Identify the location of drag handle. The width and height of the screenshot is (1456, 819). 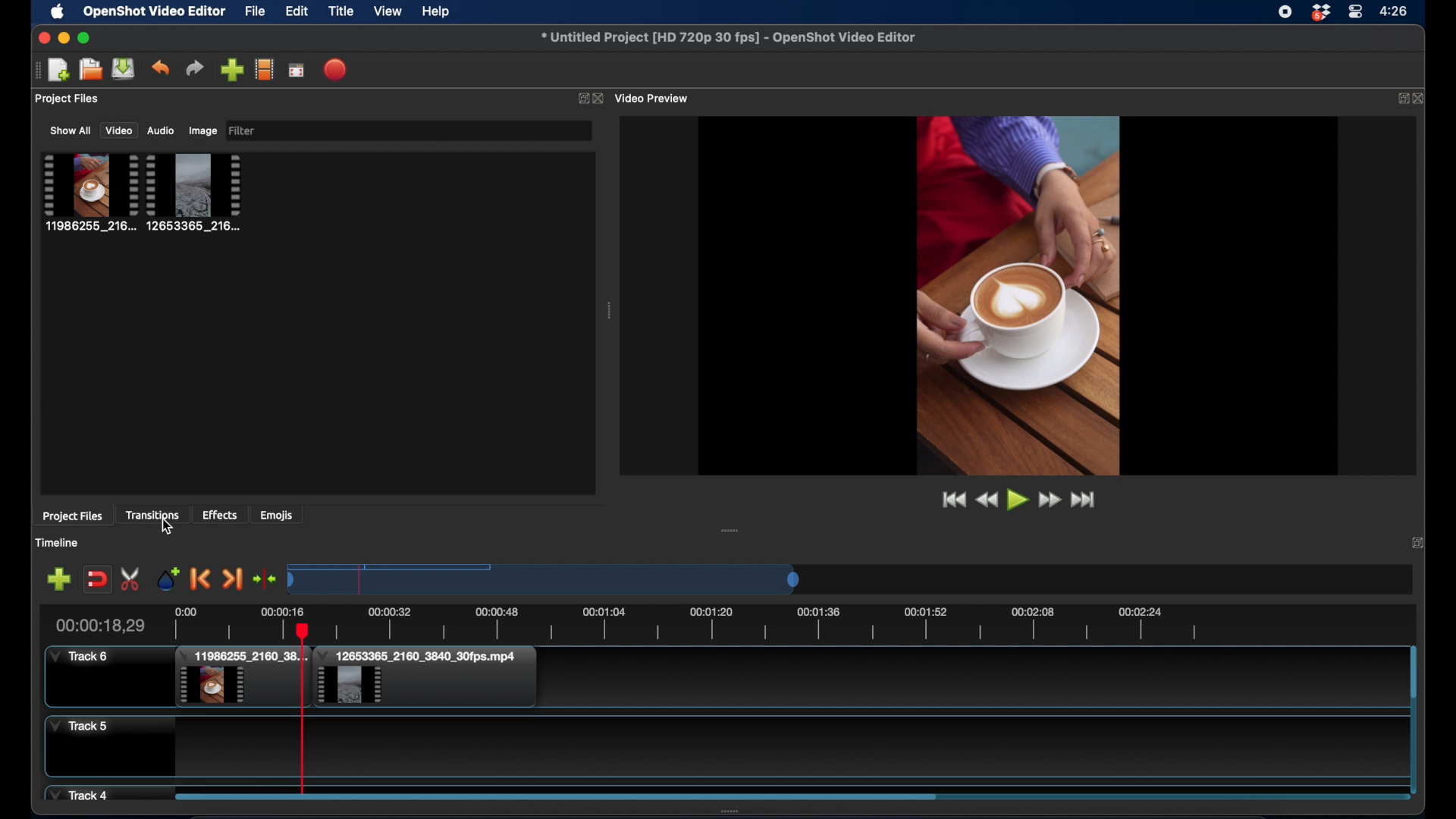
(610, 311).